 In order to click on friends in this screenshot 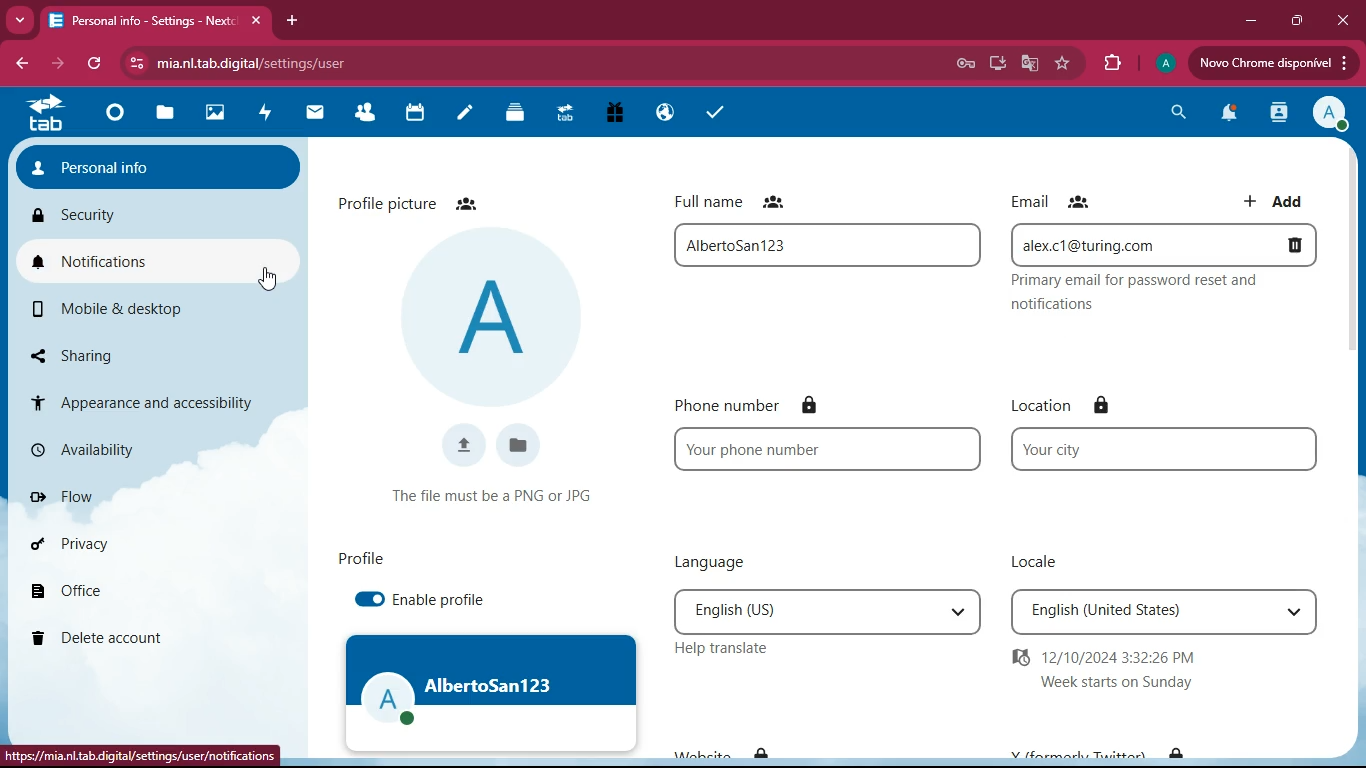, I will do `click(365, 114)`.